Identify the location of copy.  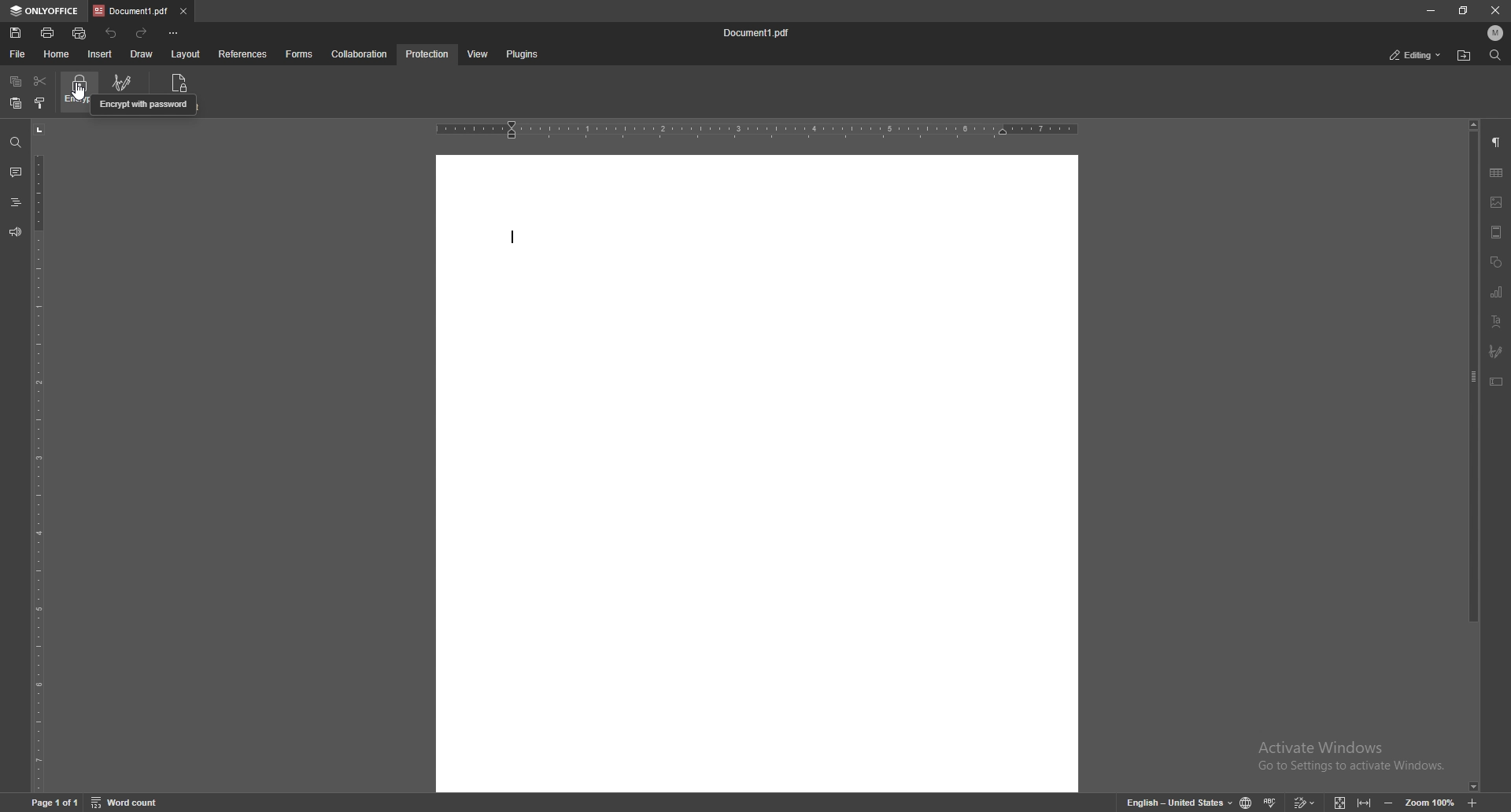
(15, 82).